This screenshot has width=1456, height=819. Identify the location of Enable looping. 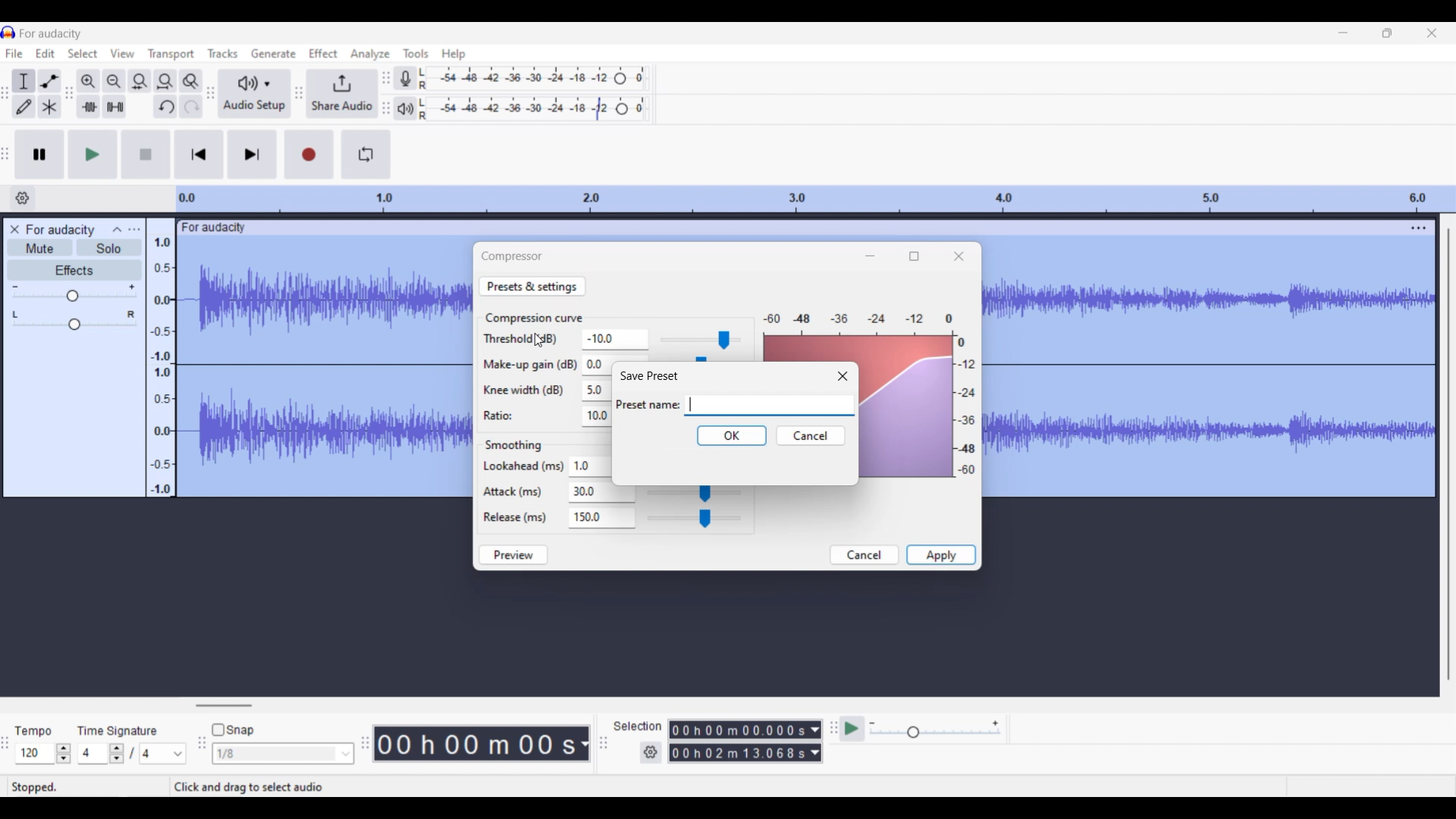
(366, 154).